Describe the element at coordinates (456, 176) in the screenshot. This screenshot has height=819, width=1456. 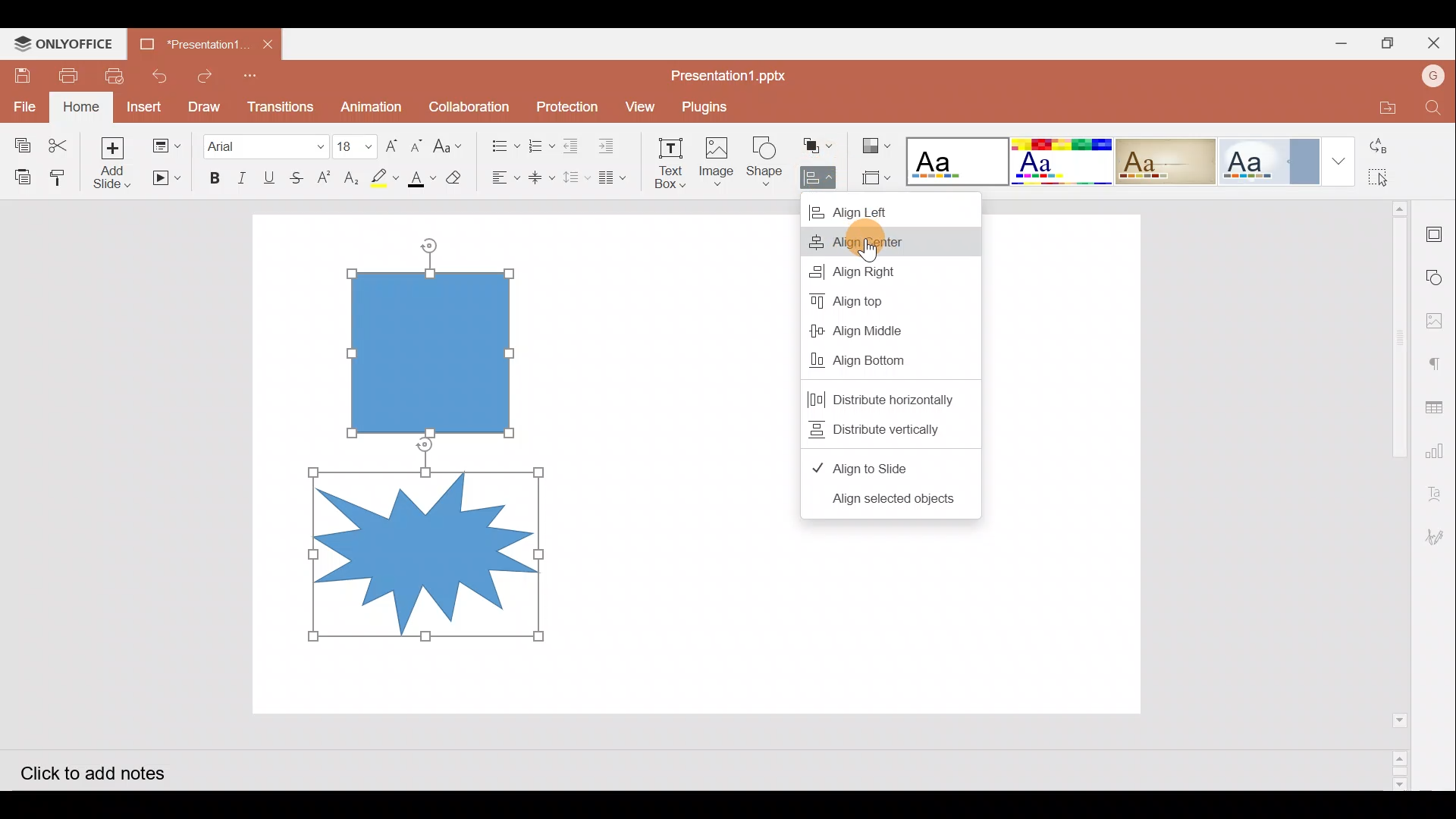
I see `Clear style` at that location.